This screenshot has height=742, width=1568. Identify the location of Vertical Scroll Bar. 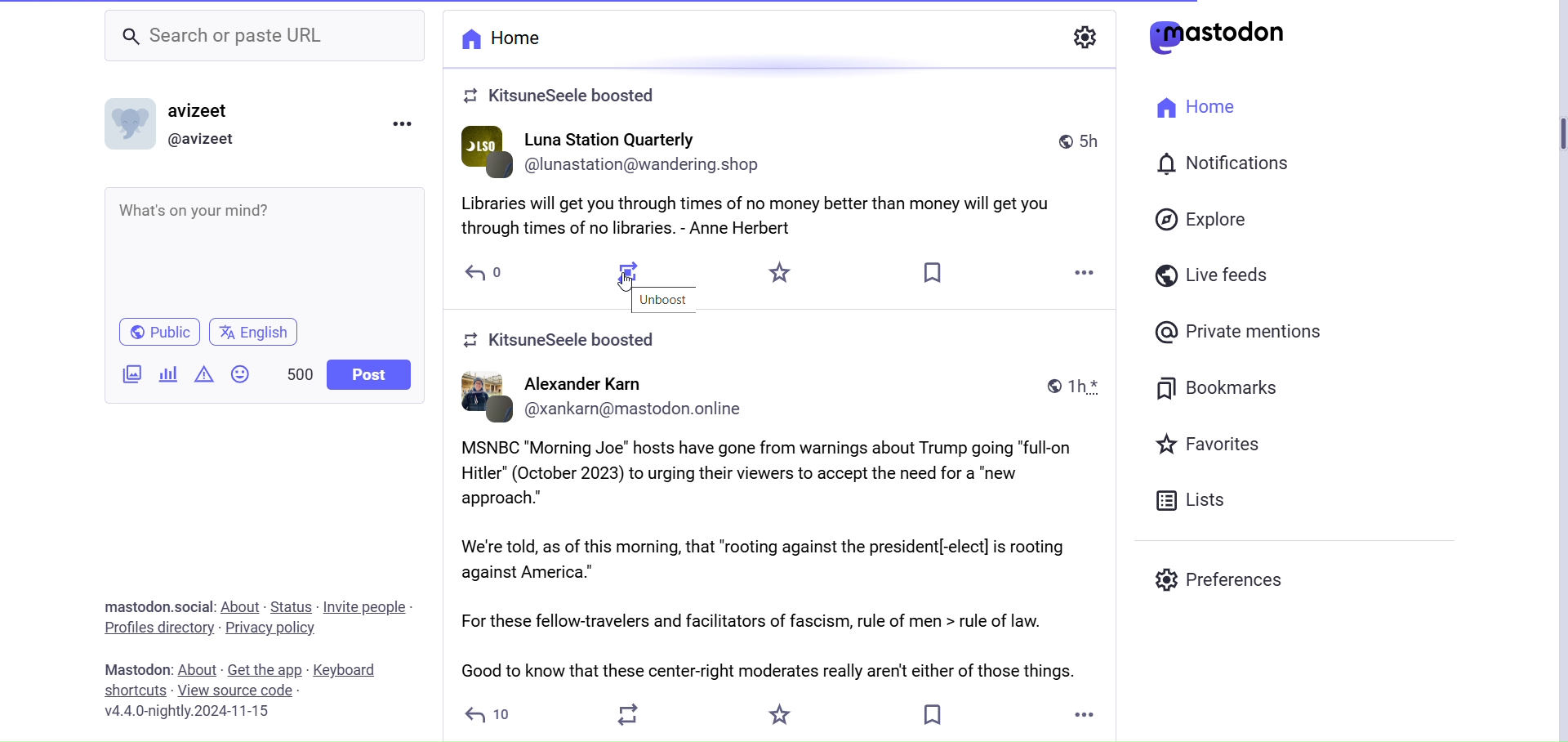
(1553, 372).